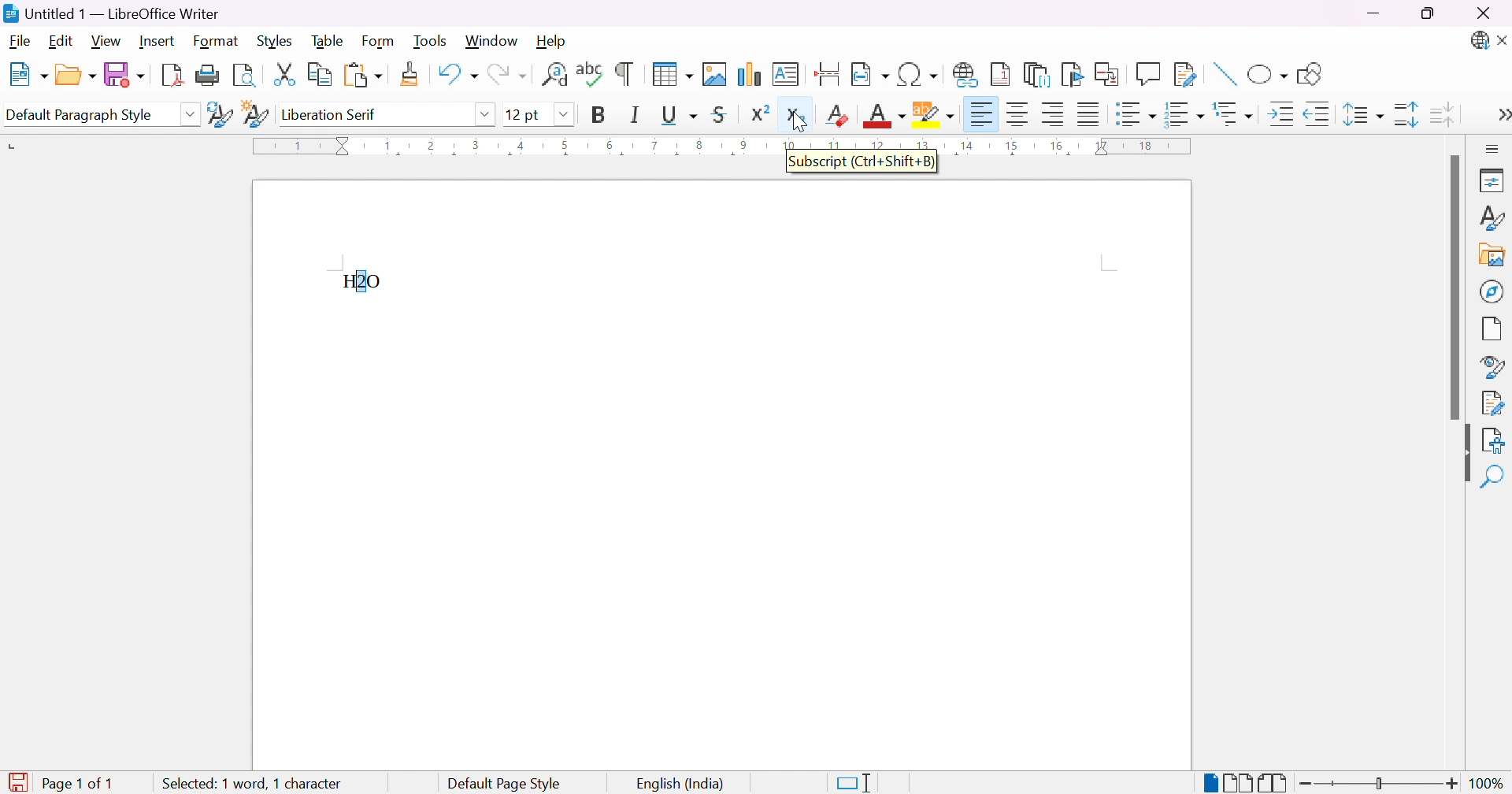  I want to click on Form, so click(382, 42).